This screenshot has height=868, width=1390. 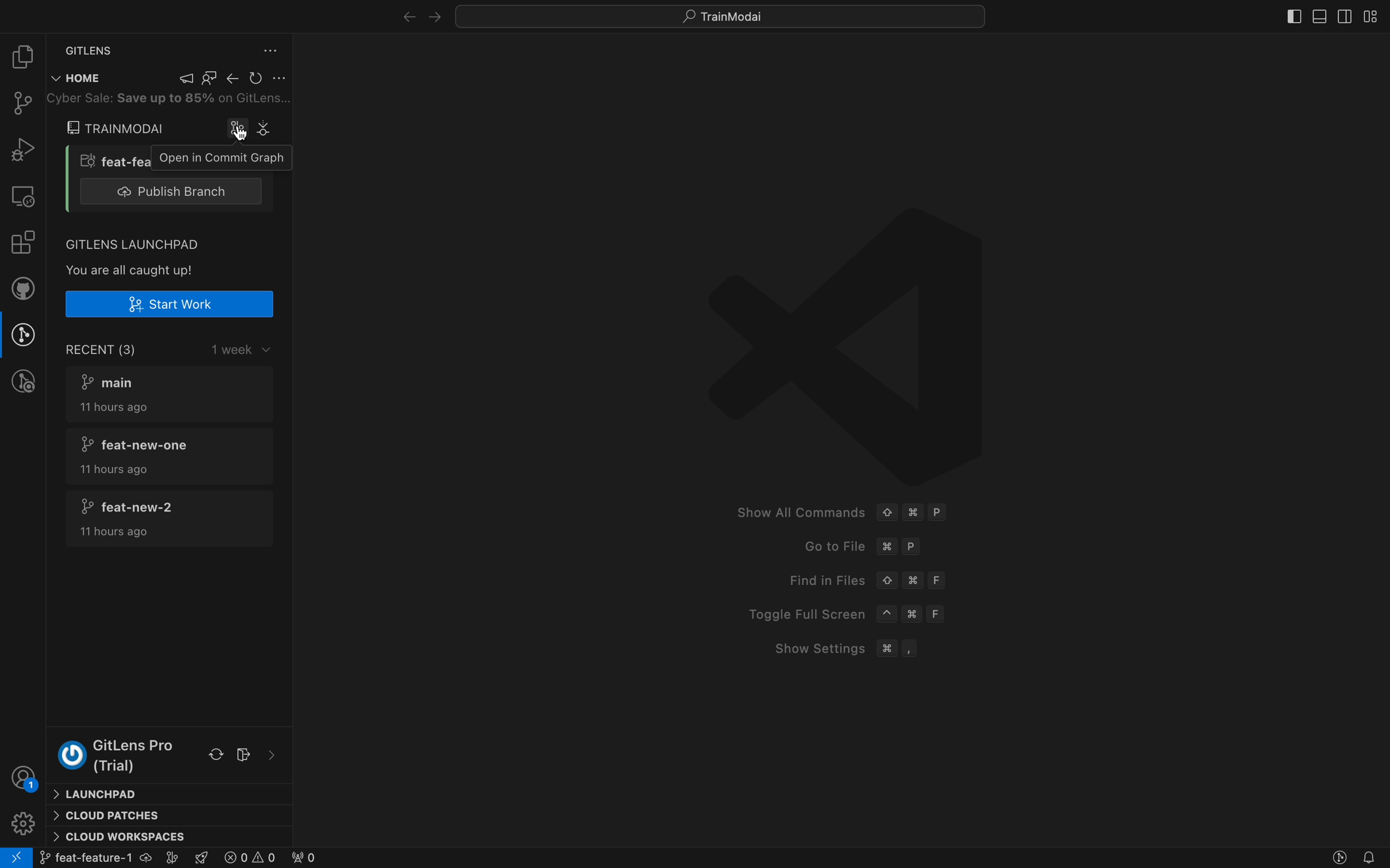 What do you see at coordinates (1376, 16) in the screenshot?
I see `layout` at bounding box center [1376, 16].